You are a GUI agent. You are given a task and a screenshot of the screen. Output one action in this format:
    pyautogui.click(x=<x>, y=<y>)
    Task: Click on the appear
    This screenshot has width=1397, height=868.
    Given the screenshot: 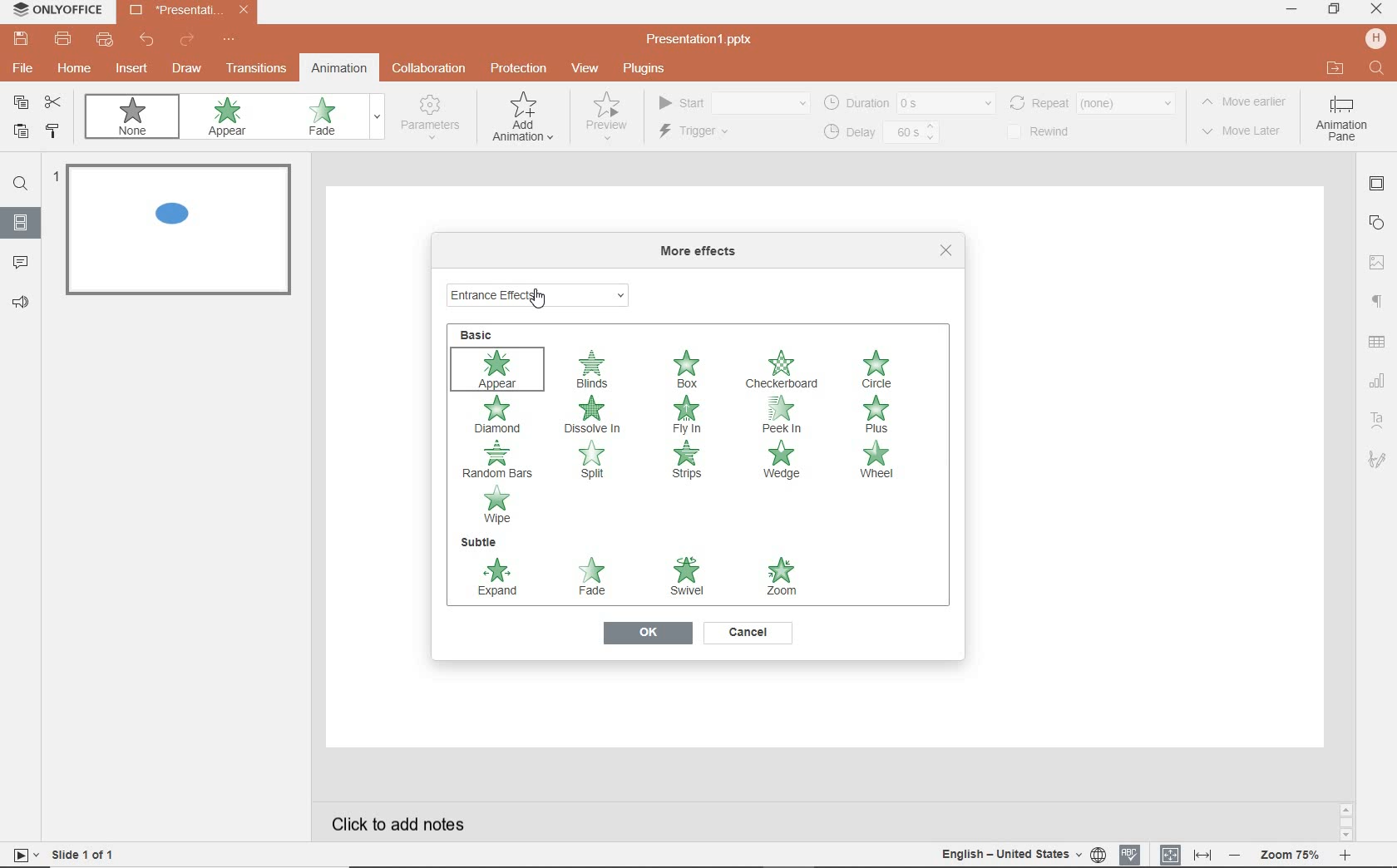 What is the action you would take?
    pyautogui.click(x=230, y=119)
    